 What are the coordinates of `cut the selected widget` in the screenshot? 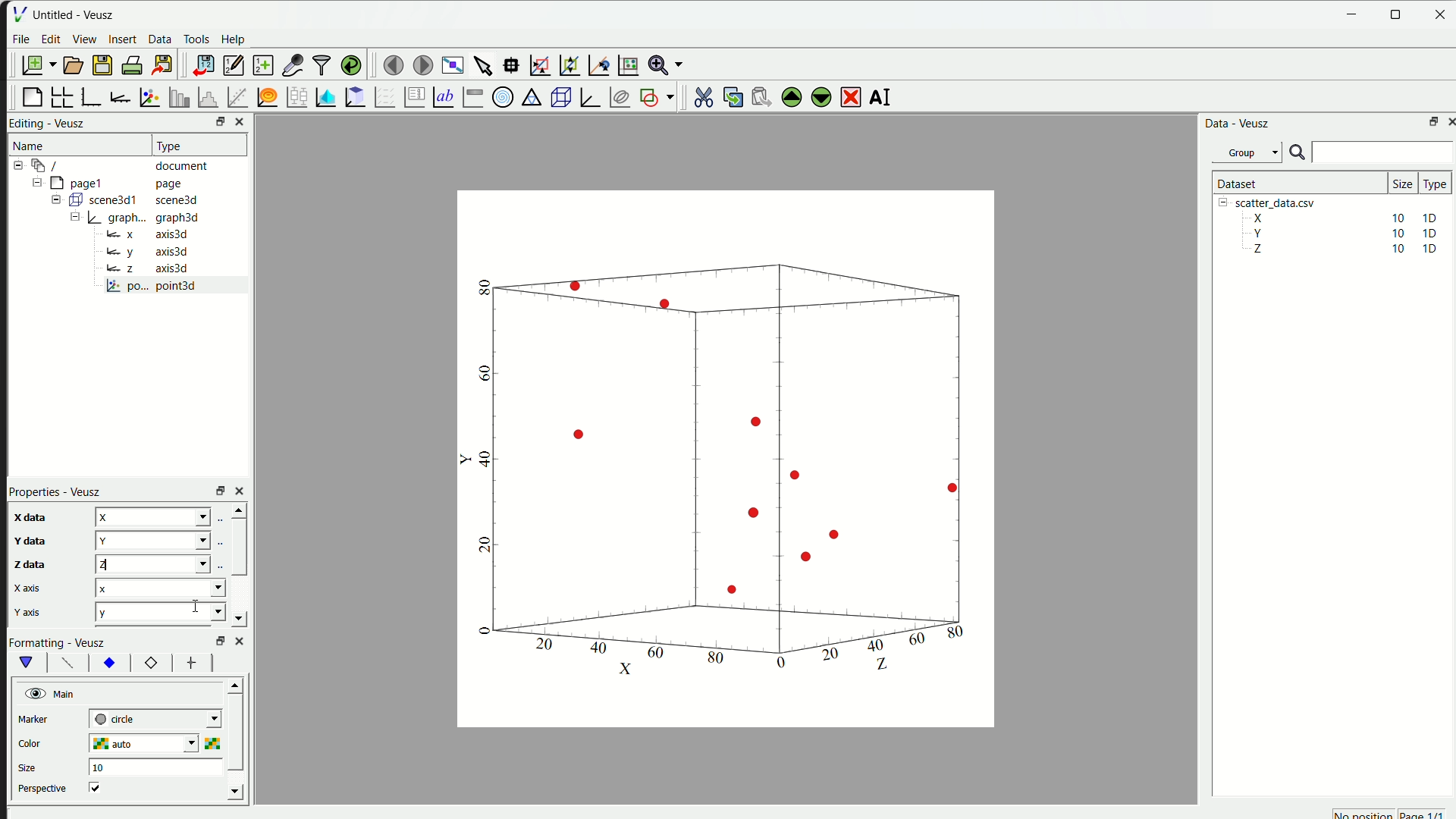 It's located at (701, 96).